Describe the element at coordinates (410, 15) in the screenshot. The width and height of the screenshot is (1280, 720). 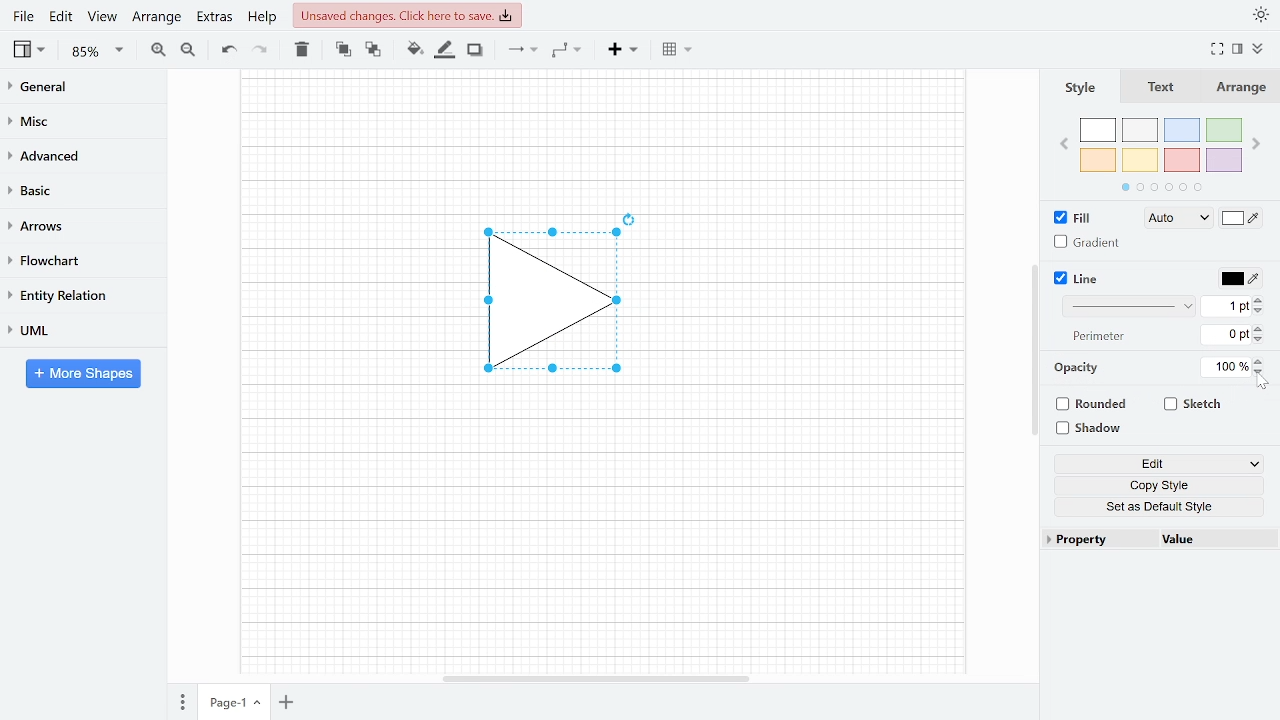
I see `Unsaved changes. Click here to save` at that location.